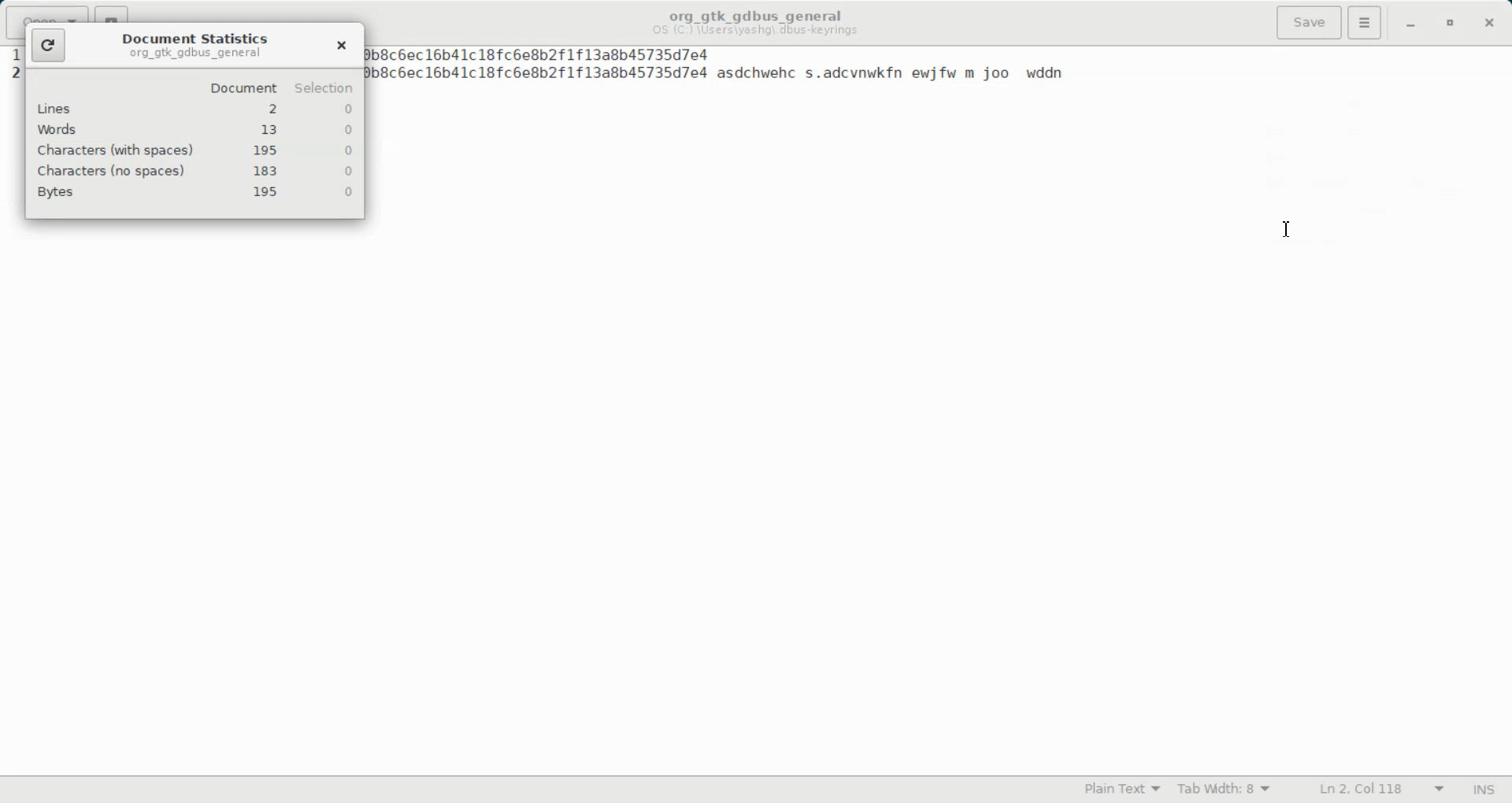 This screenshot has width=1512, height=803. I want to click on lines, so click(75, 108).